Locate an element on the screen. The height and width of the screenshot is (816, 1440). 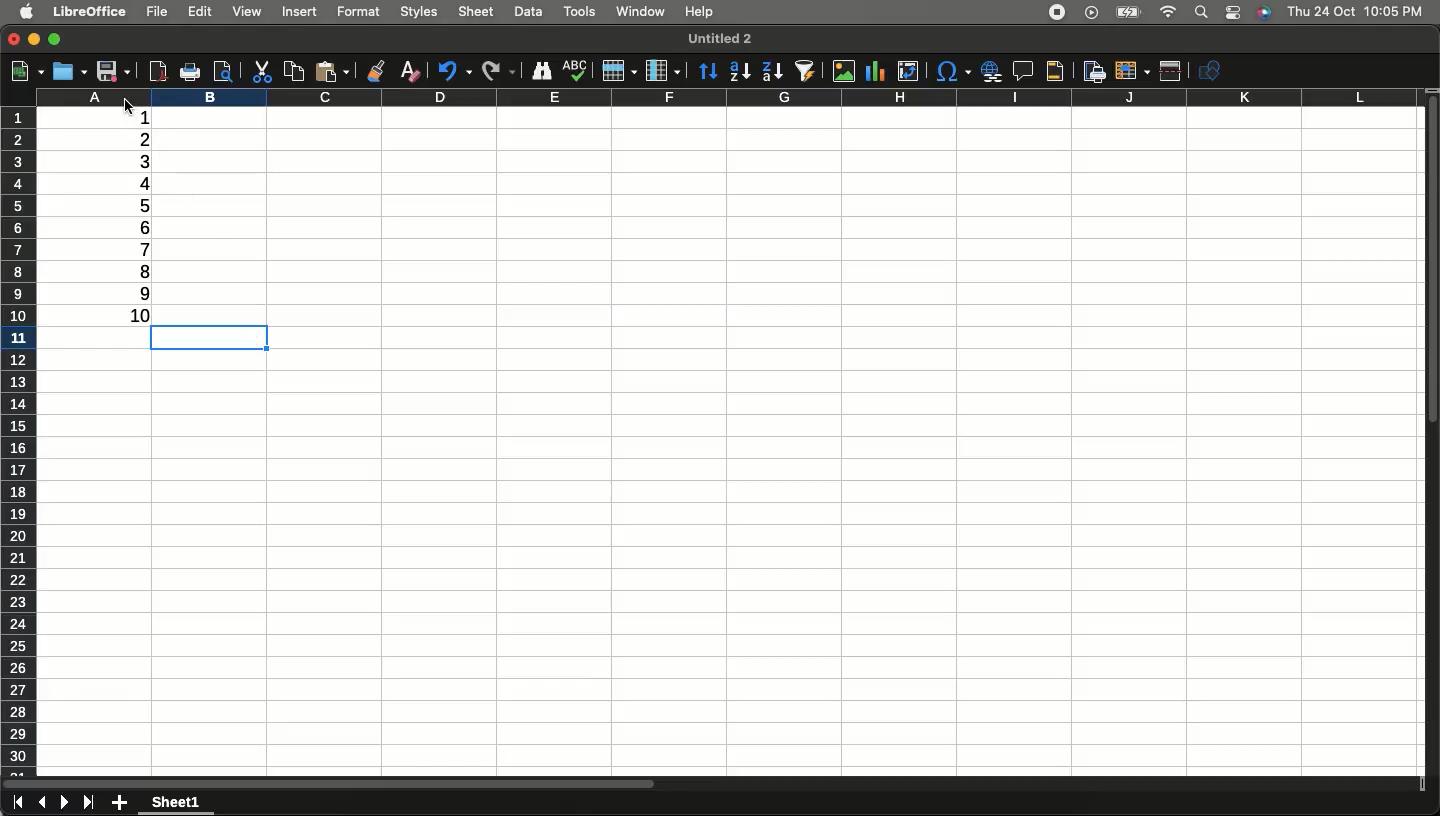
Format is located at coordinates (359, 10).